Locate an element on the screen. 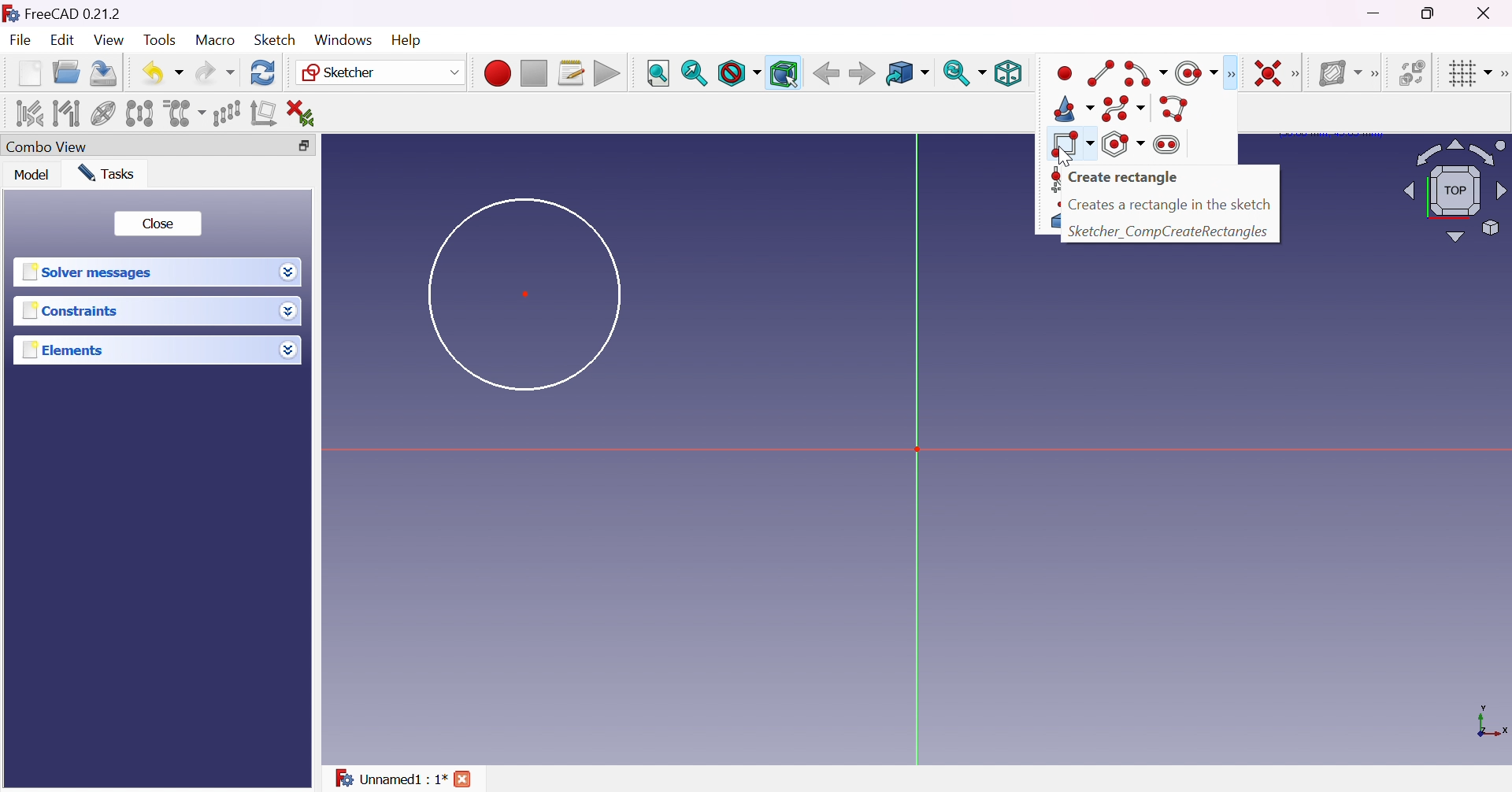 The image size is (1512, 792). Windows is located at coordinates (342, 39).